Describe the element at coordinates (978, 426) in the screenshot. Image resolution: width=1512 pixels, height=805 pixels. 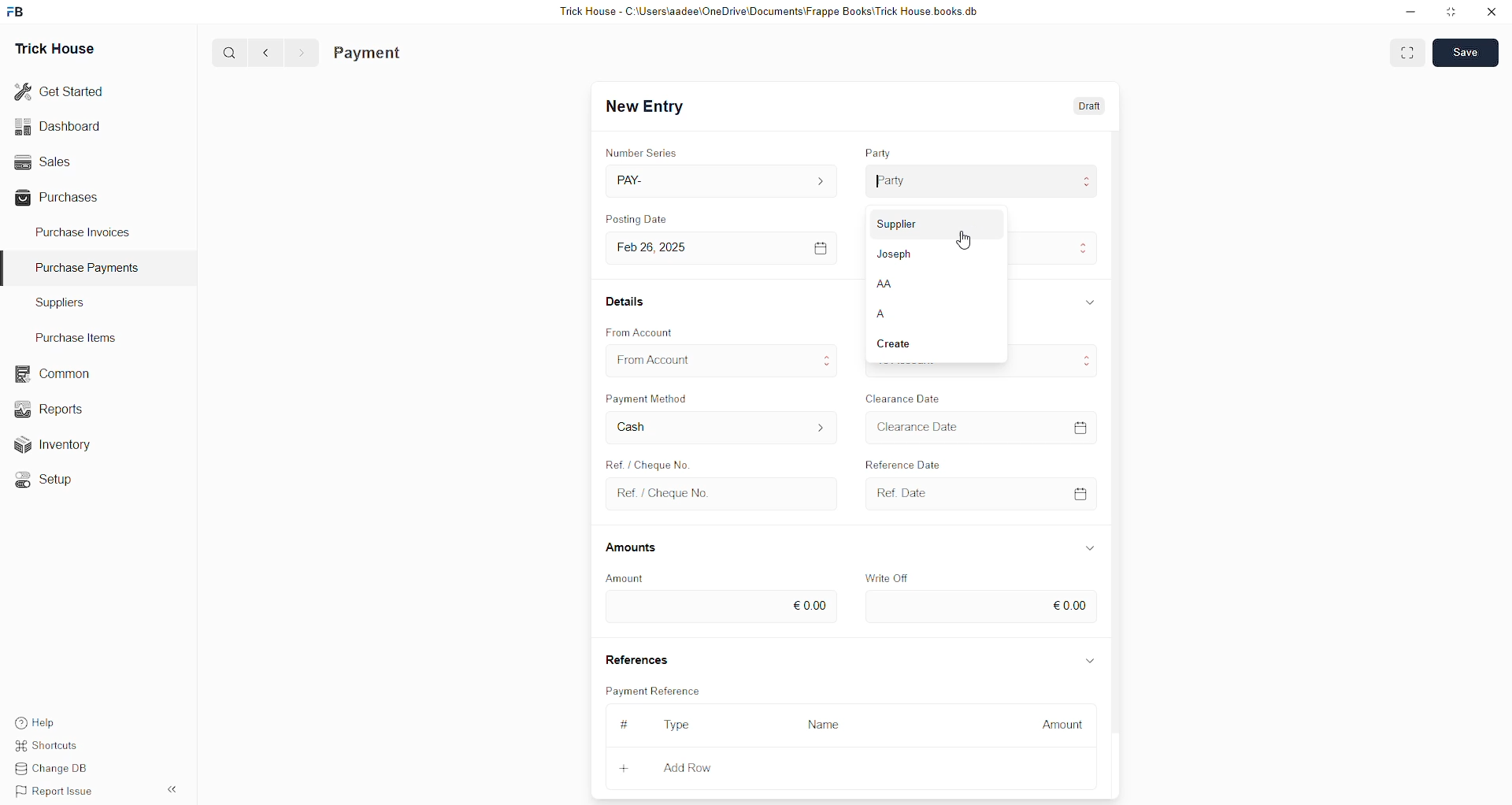
I see `Clearance Date ` at that location.